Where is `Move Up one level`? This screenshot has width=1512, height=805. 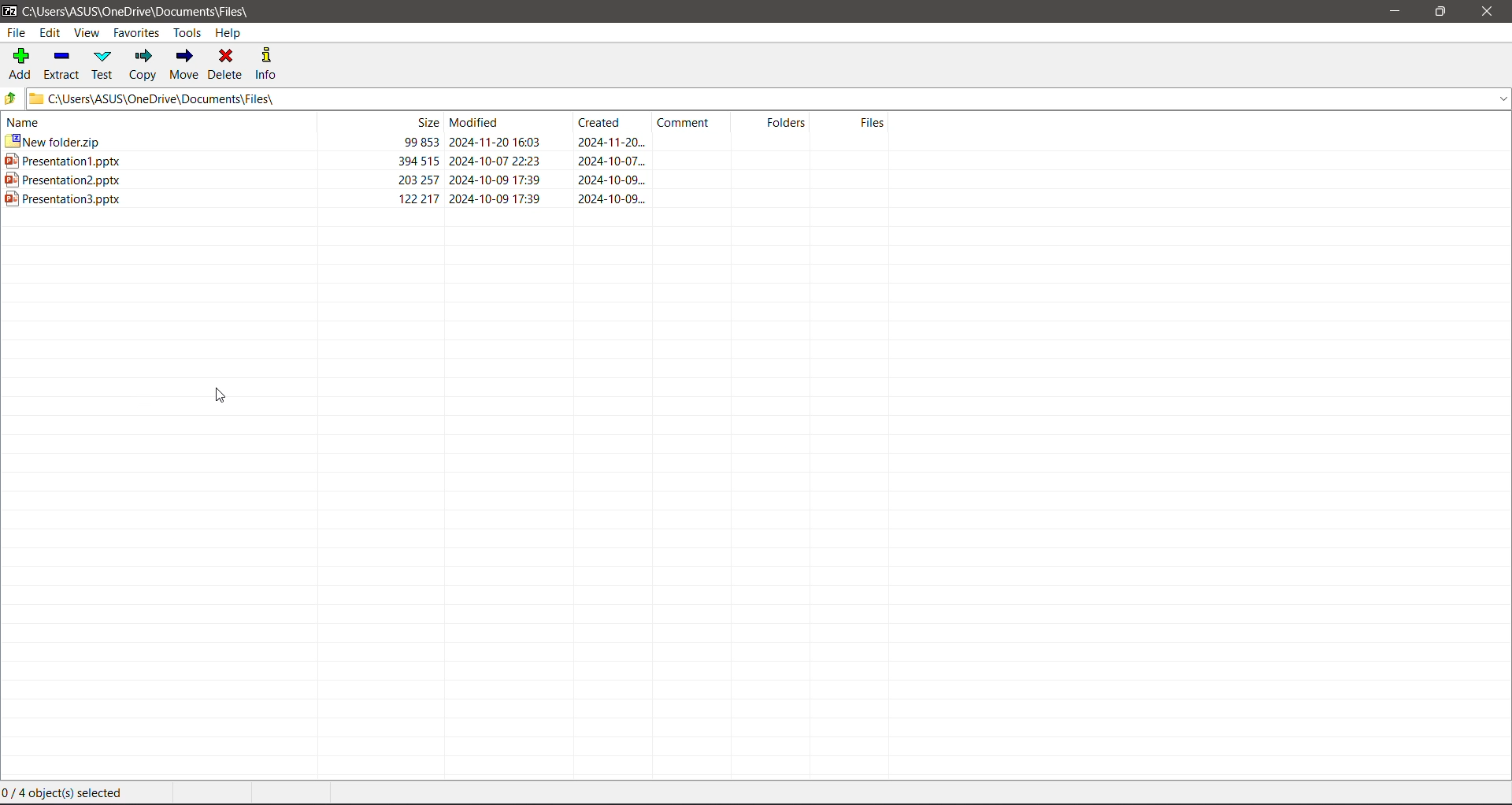 Move Up one level is located at coordinates (11, 100).